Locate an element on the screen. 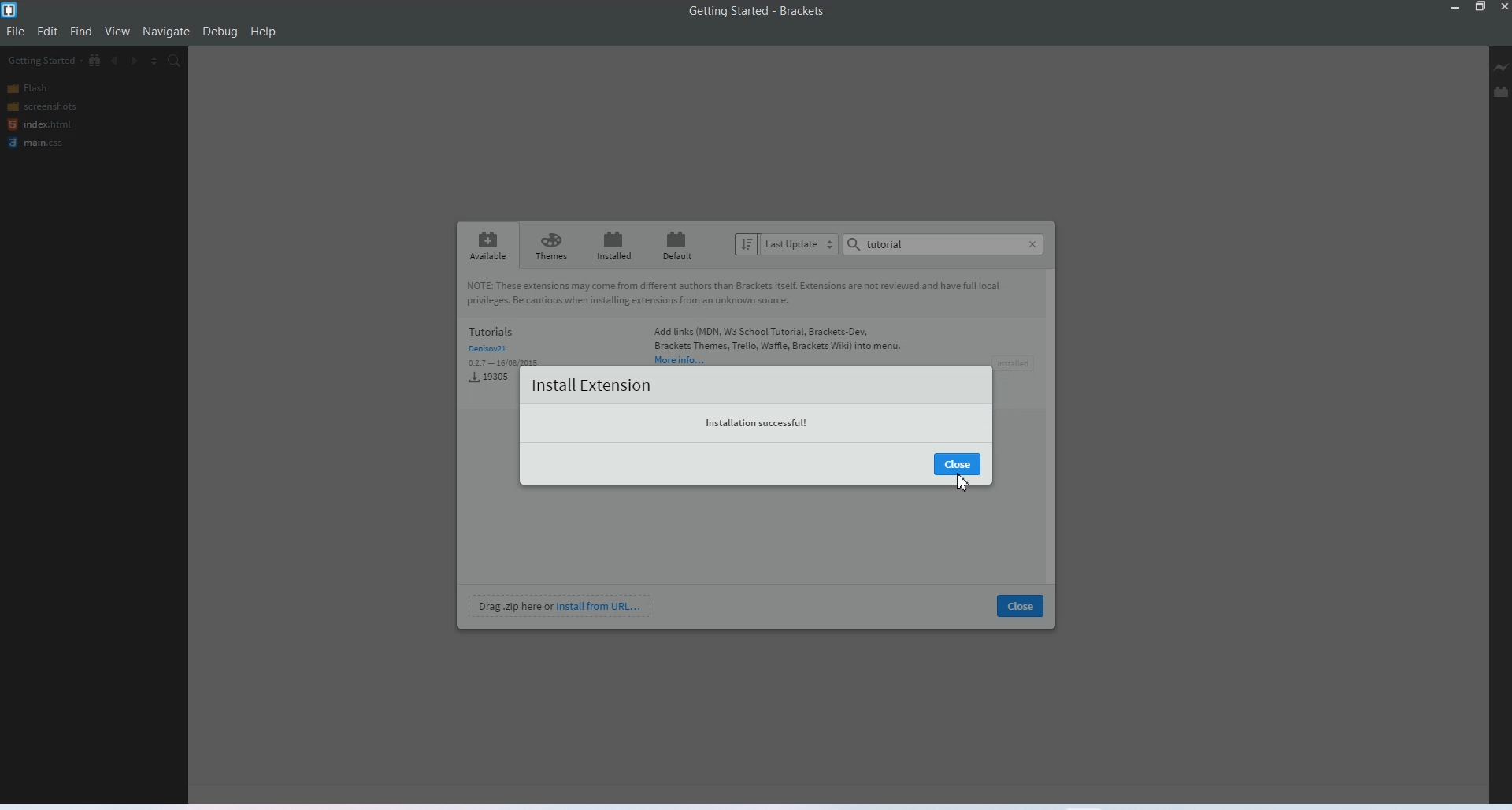 Image resolution: width=1512 pixels, height=810 pixels. NOTE: These extensions may come from different authors than Brackets itself. Extensions are not reviewed and have full local
privileges. Be cautious when installing extensions from an unknown source. is located at coordinates (754, 295).